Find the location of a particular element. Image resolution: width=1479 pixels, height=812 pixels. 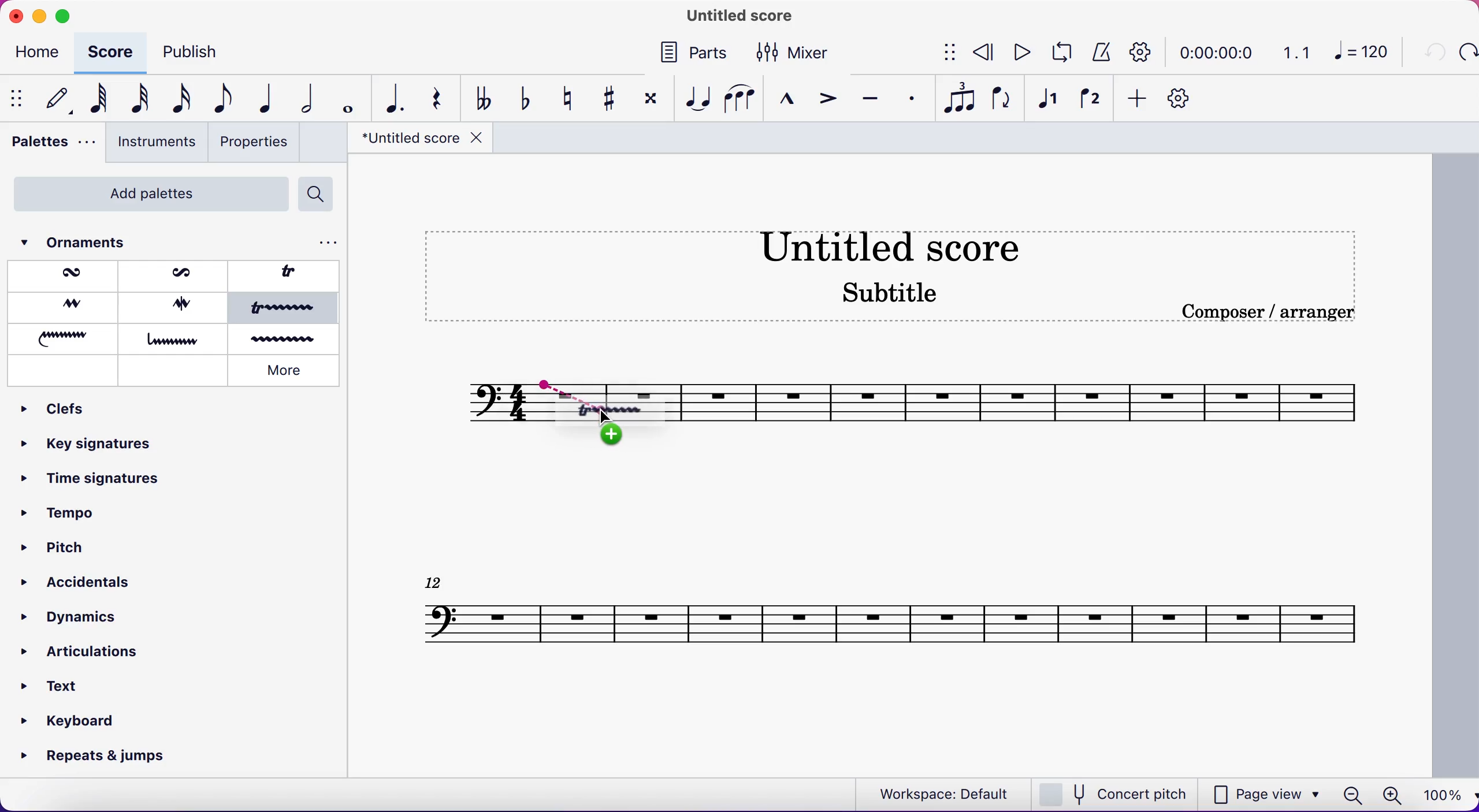

glissando (descending) is located at coordinates (175, 339).